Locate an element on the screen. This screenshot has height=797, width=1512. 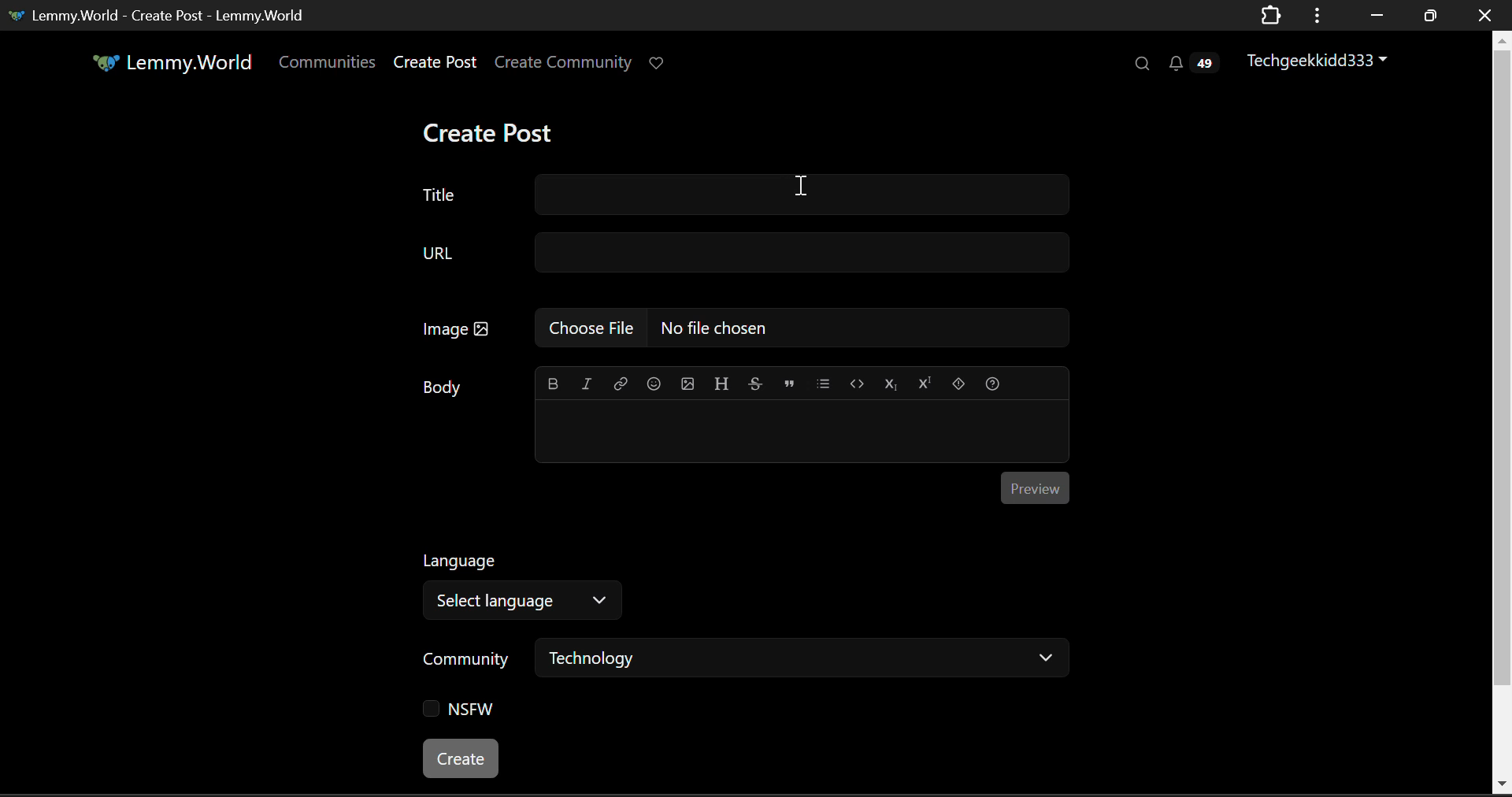
Notifications is located at coordinates (1197, 61).